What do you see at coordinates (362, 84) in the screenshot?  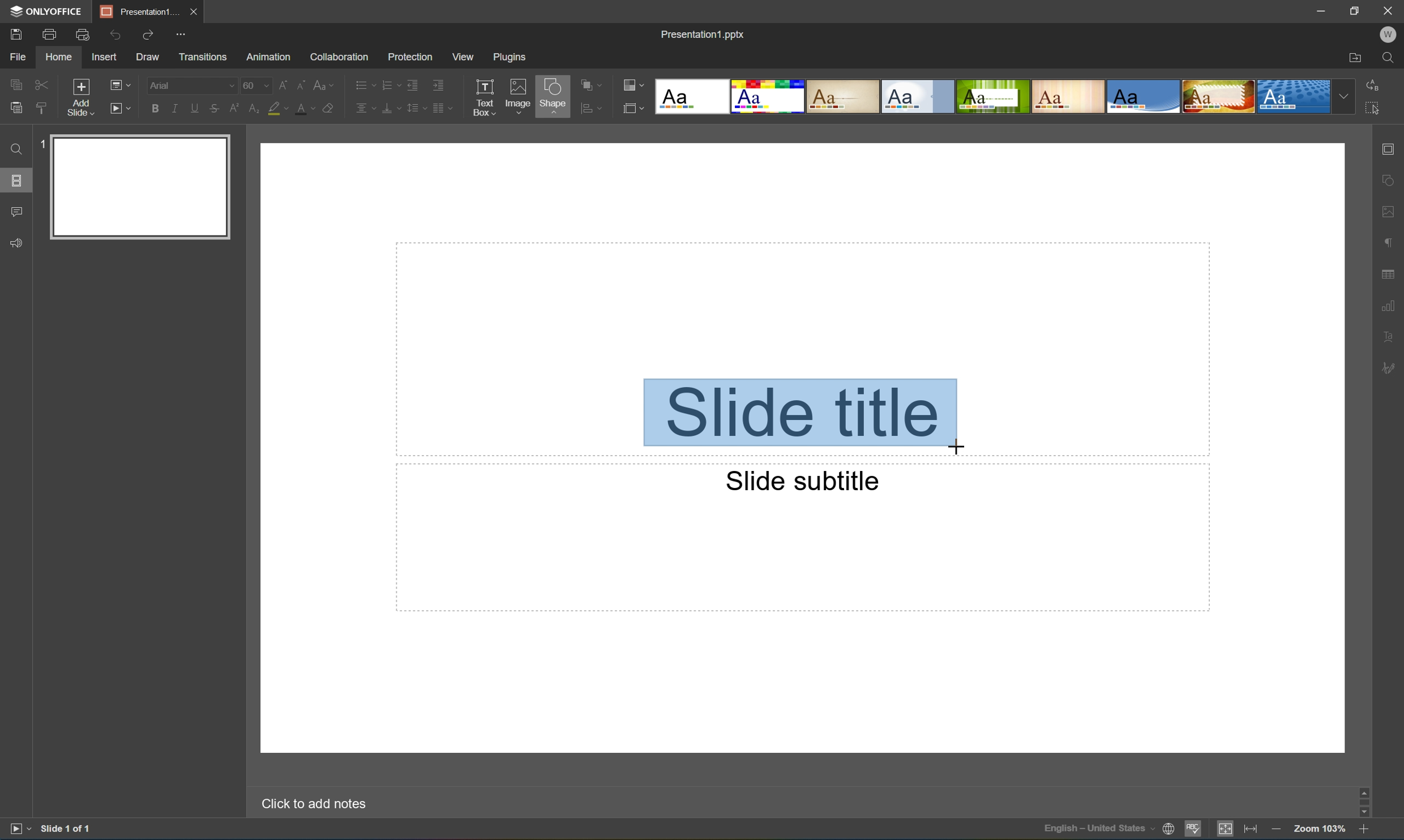 I see `Bullets` at bounding box center [362, 84].